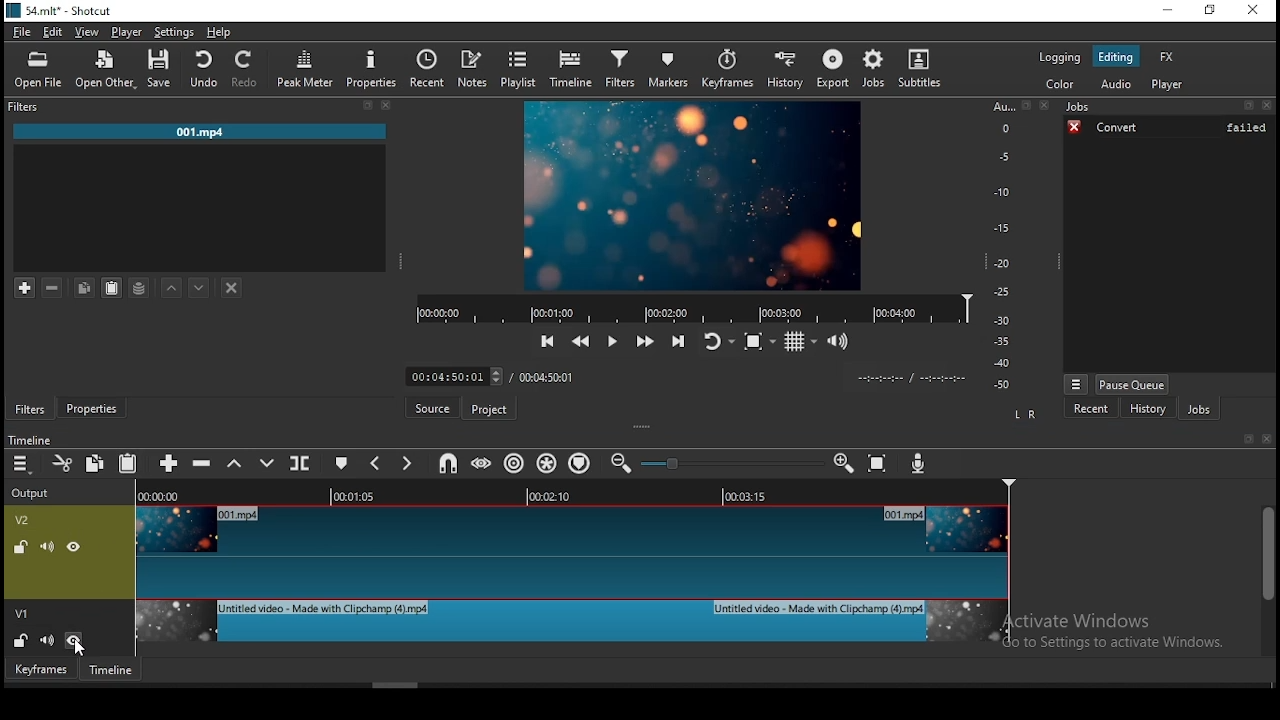 Image resolution: width=1280 pixels, height=720 pixels. I want to click on (un)mute, so click(47, 640).